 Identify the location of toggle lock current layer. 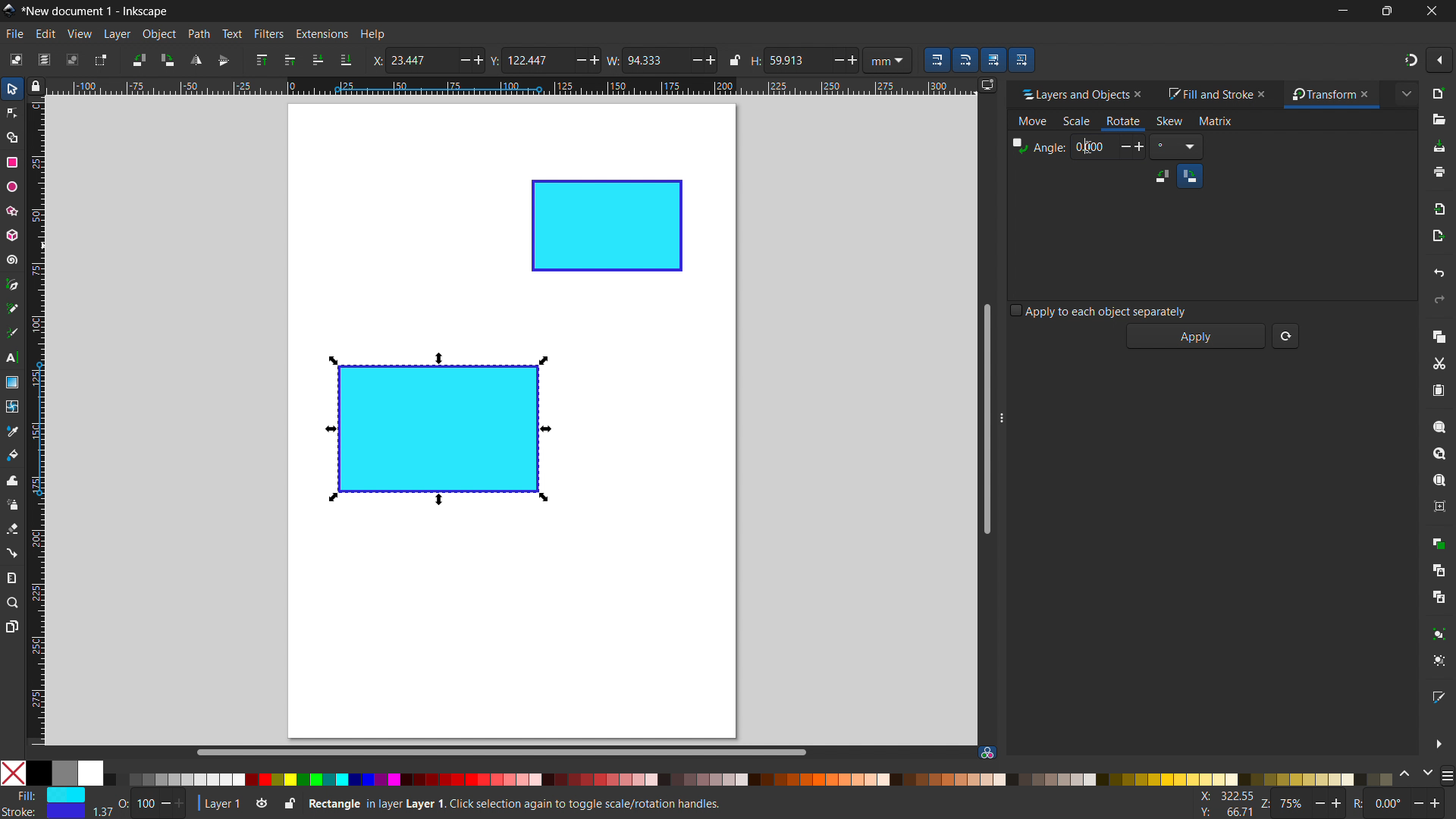
(289, 802).